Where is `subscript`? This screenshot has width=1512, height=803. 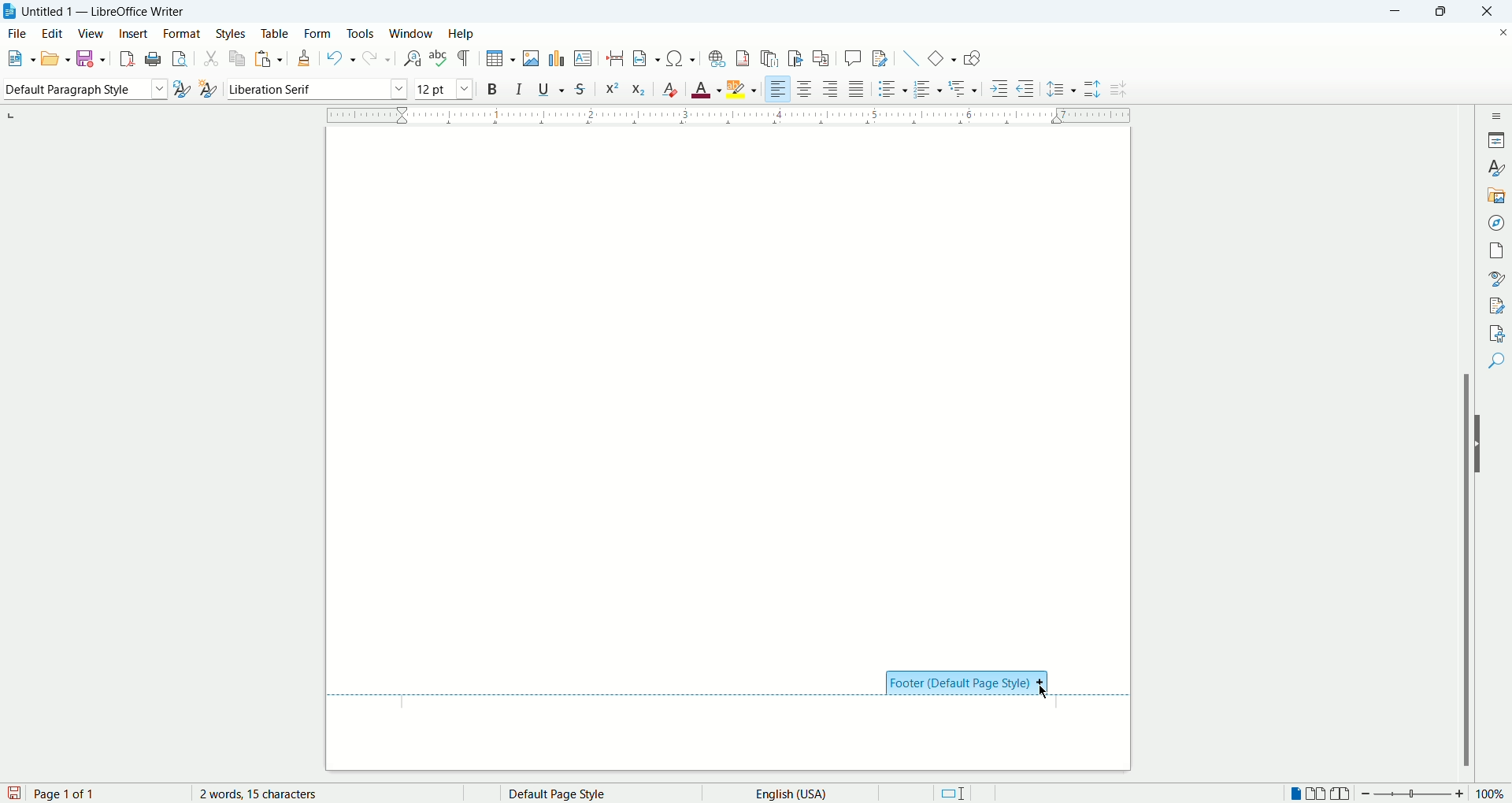
subscript is located at coordinates (639, 91).